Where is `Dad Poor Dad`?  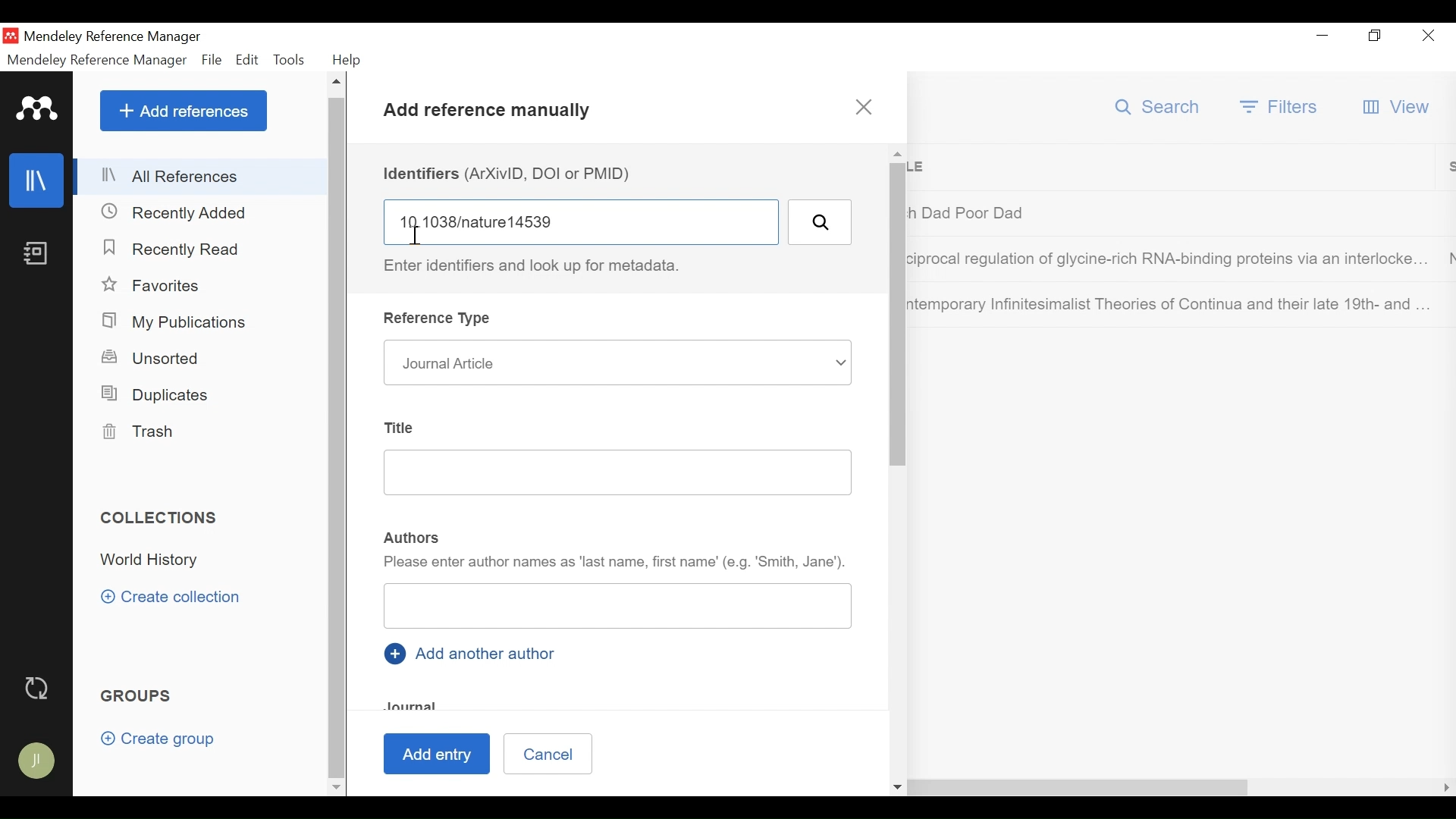
Dad Poor Dad is located at coordinates (1172, 212).